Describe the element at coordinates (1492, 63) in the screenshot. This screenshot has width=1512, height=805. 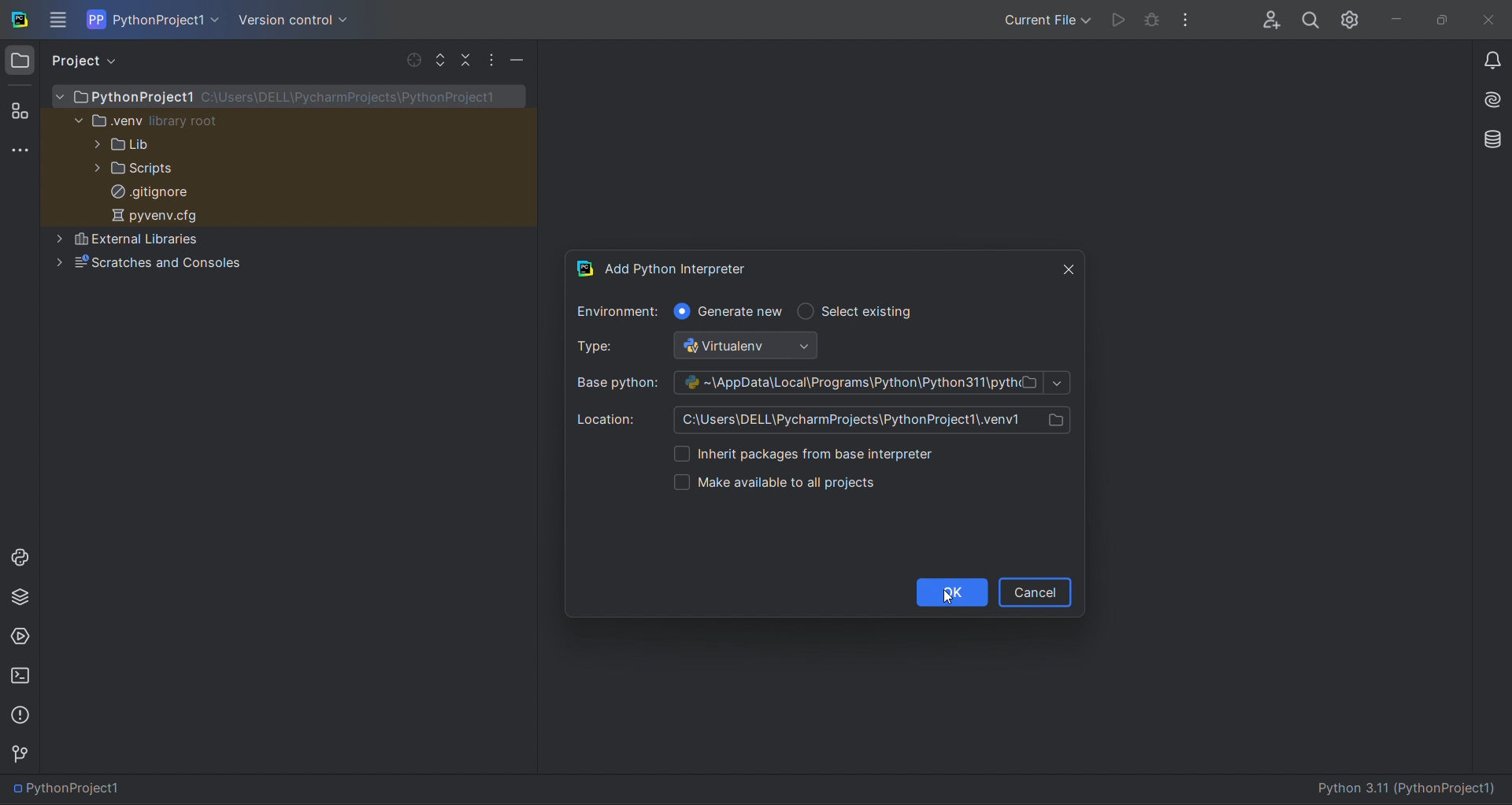
I see `notifications` at that location.